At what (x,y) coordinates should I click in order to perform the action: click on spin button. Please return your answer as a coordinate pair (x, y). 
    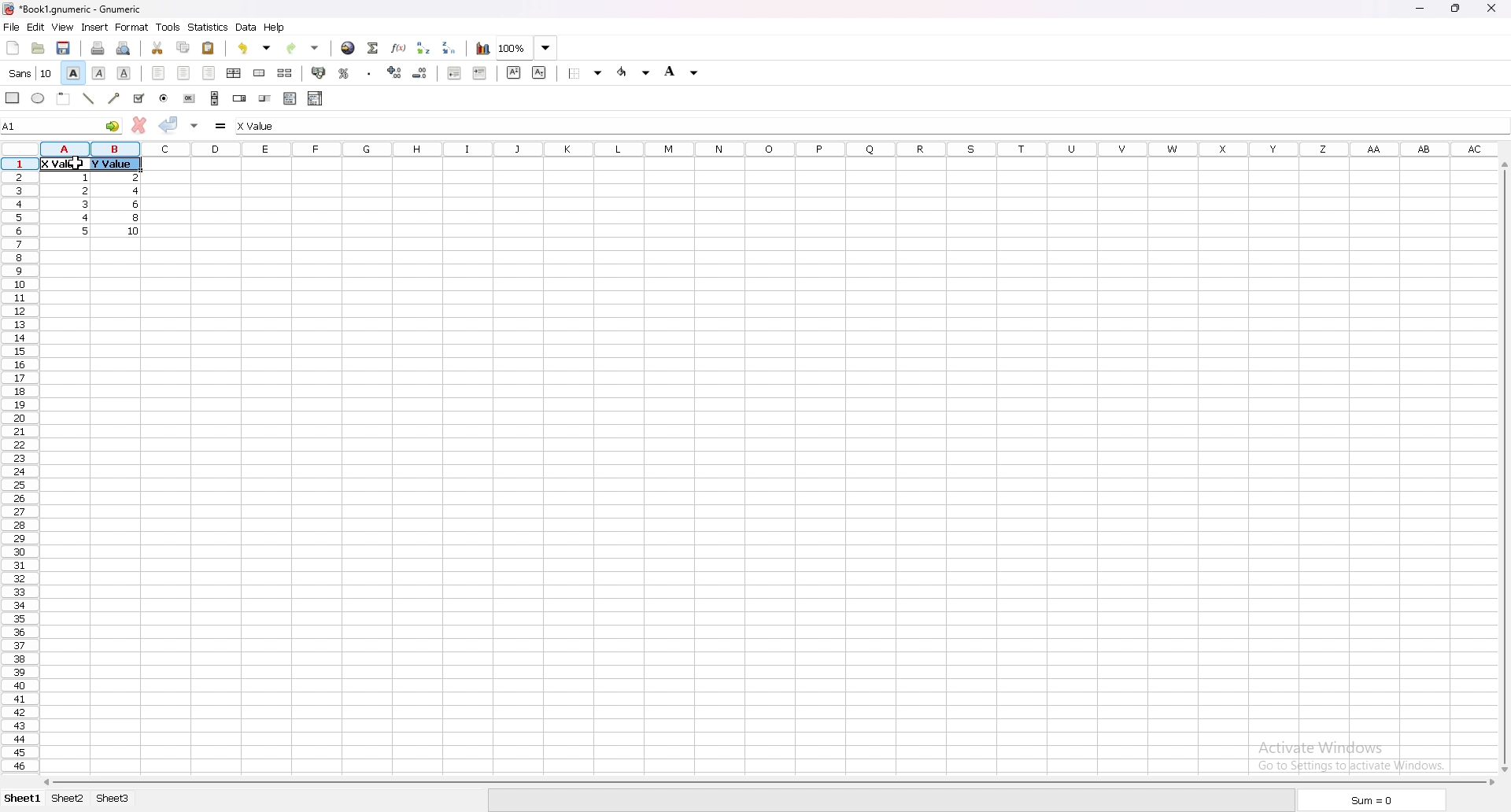
    Looking at the image, I should click on (240, 98).